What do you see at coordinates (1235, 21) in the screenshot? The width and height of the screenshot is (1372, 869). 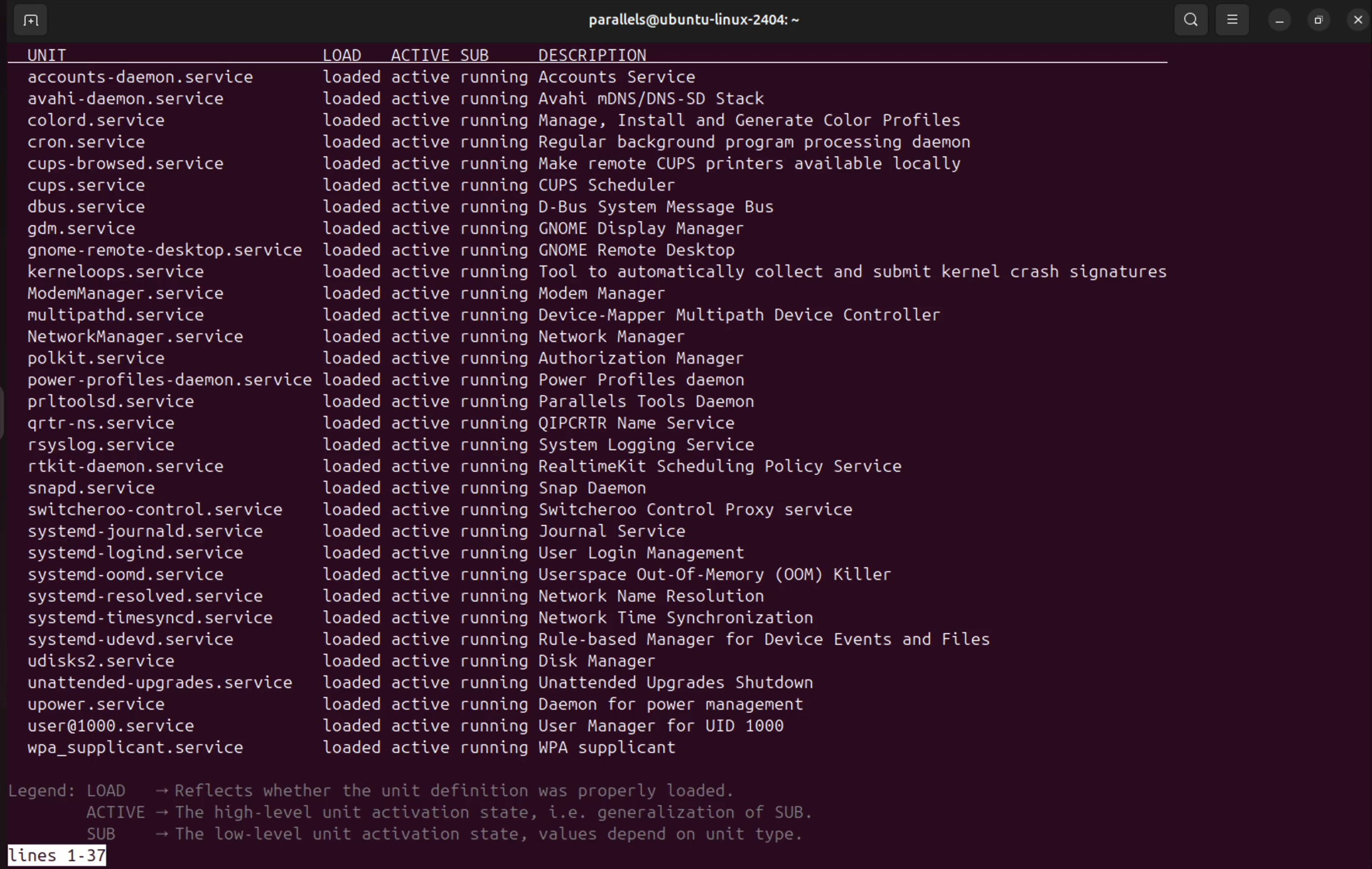 I see `view options` at bounding box center [1235, 21].